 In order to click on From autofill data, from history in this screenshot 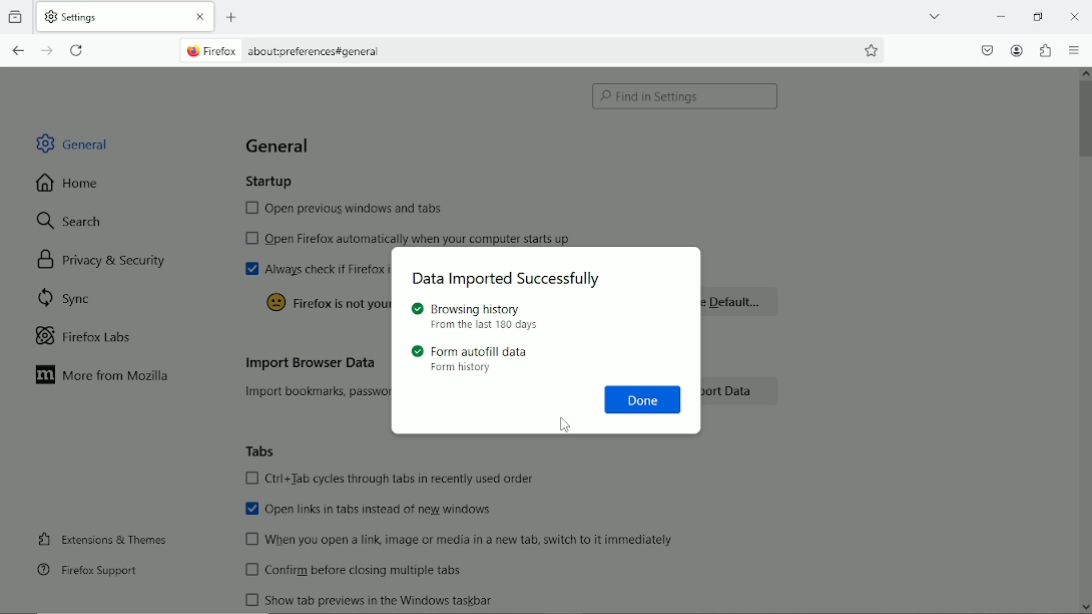, I will do `click(474, 359)`.